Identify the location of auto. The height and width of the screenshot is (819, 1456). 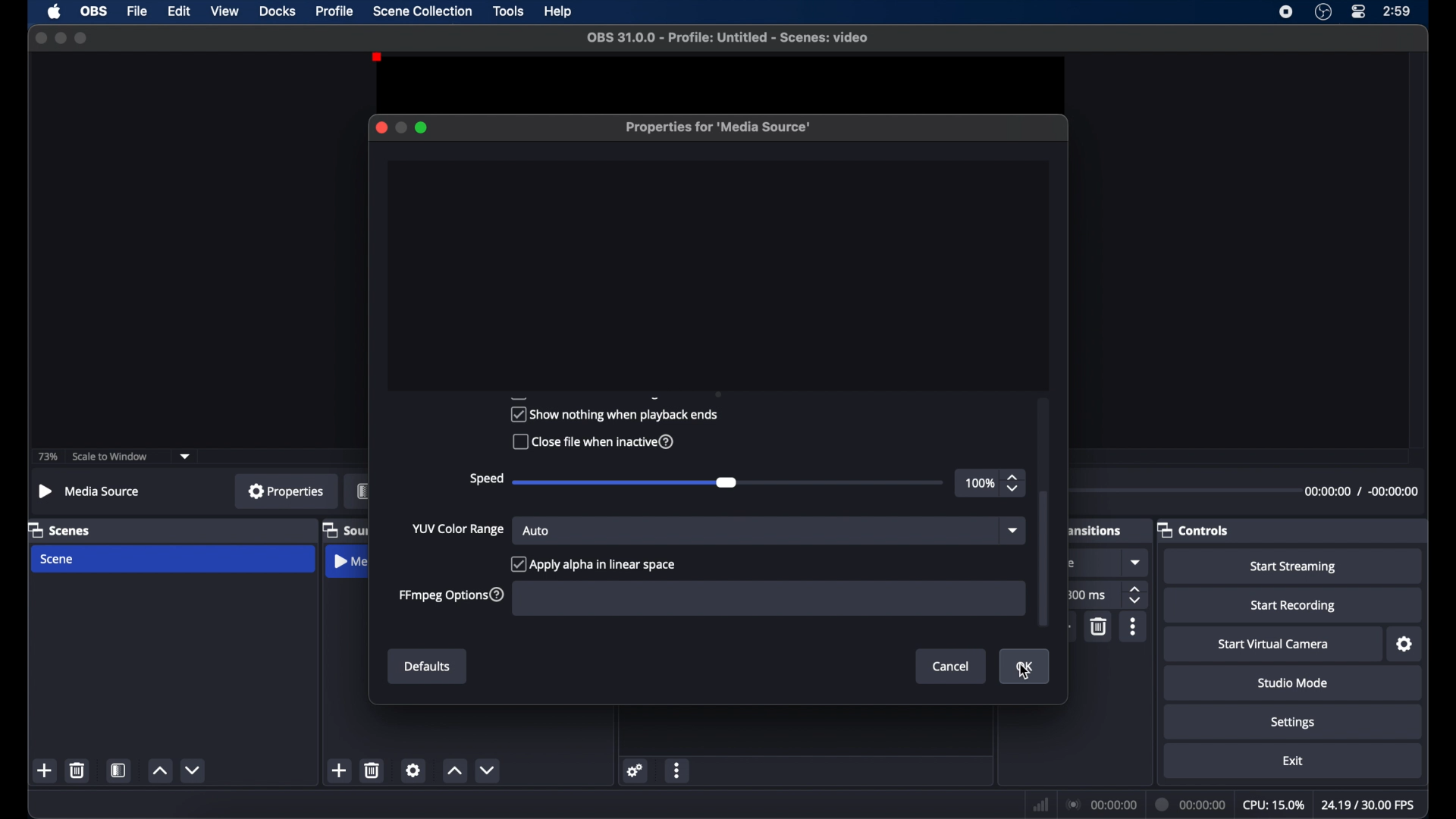
(536, 530).